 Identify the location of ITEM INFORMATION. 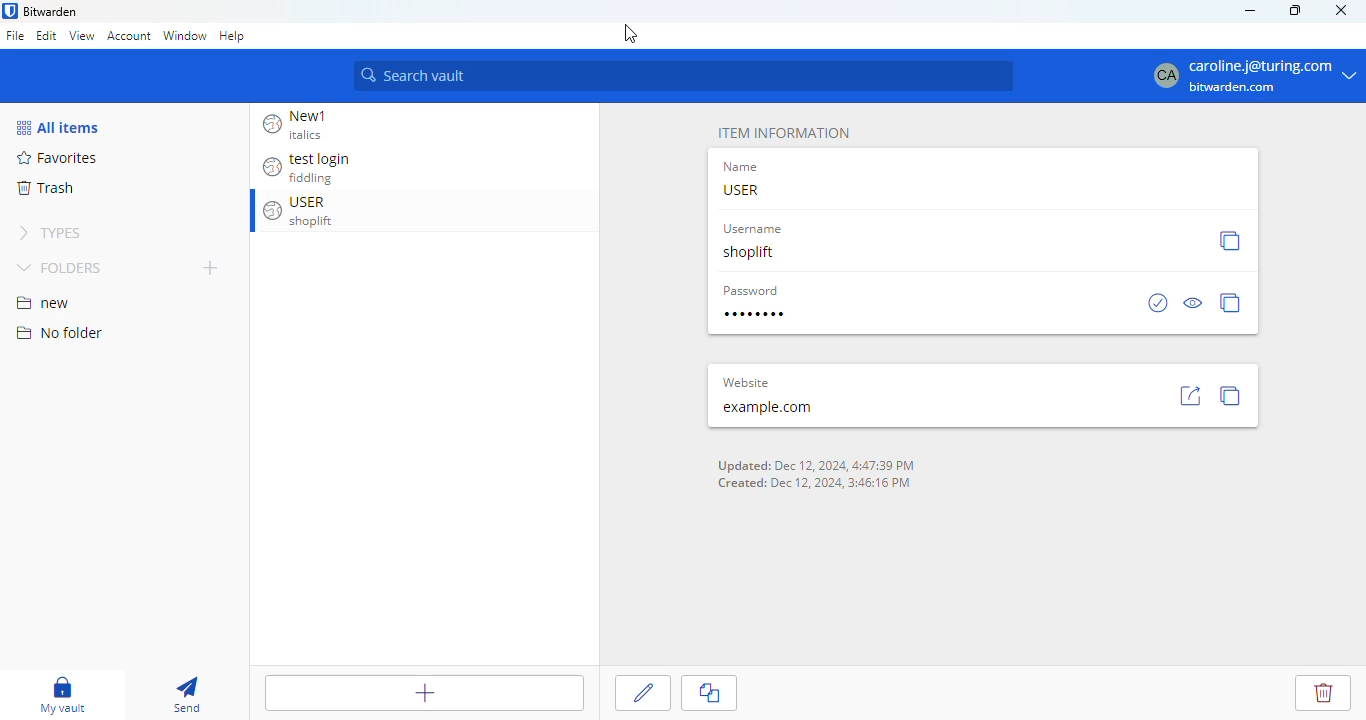
(783, 133).